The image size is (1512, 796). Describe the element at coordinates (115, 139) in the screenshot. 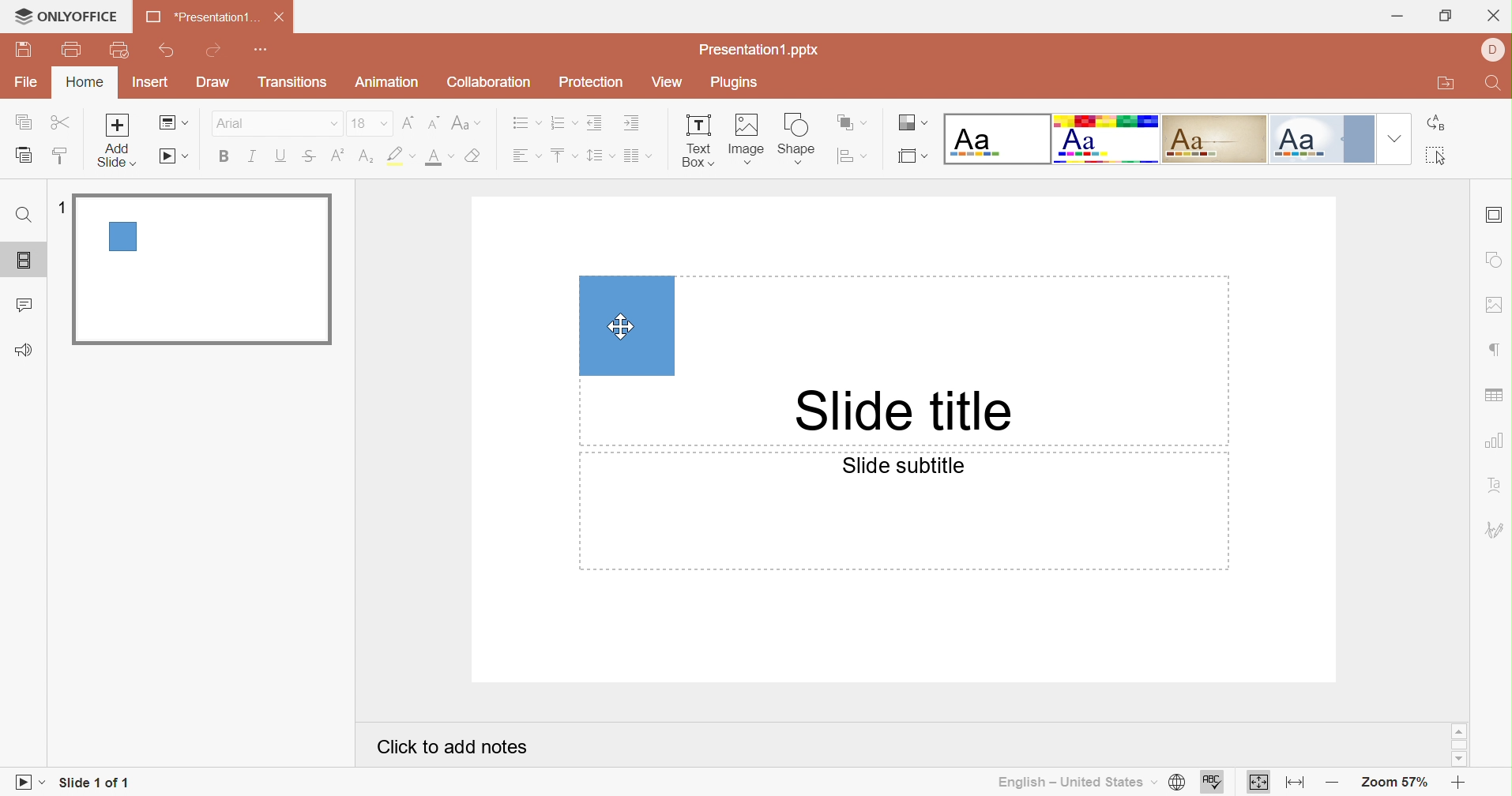

I see `Add slide` at that location.